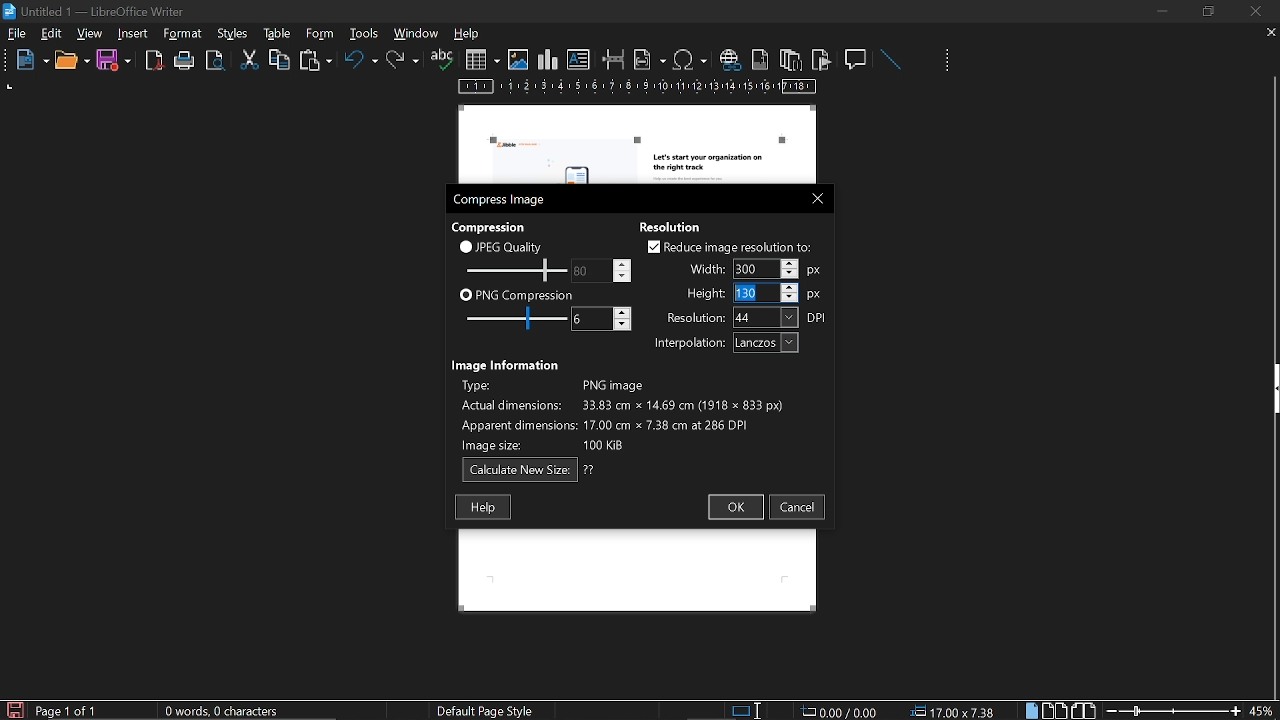 This screenshot has width=1280, height=720. I want to click on interpolation, so click(722, 343).